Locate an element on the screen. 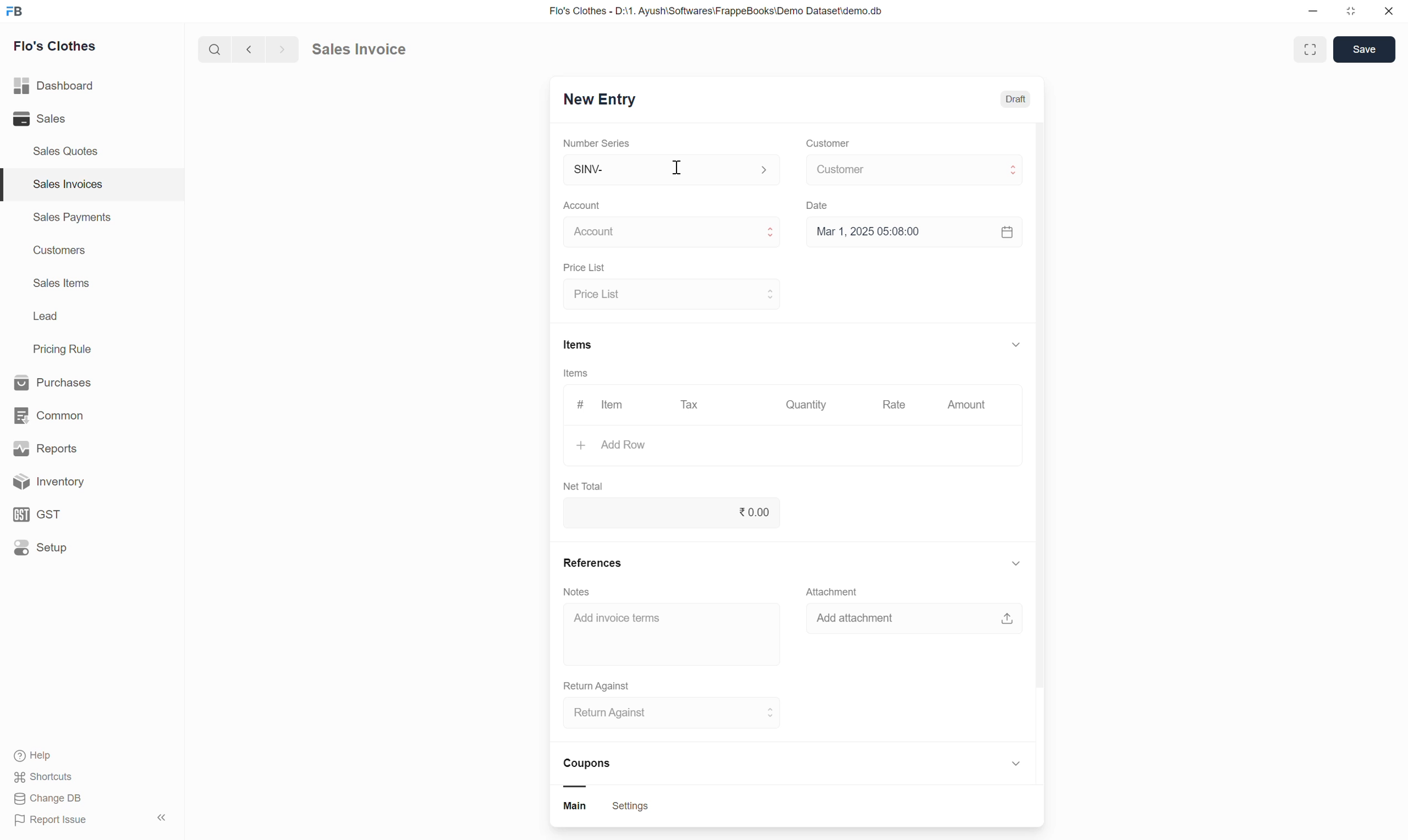 The image size is (1408, 840). Dashboard  is located at coordinates (74, 86).